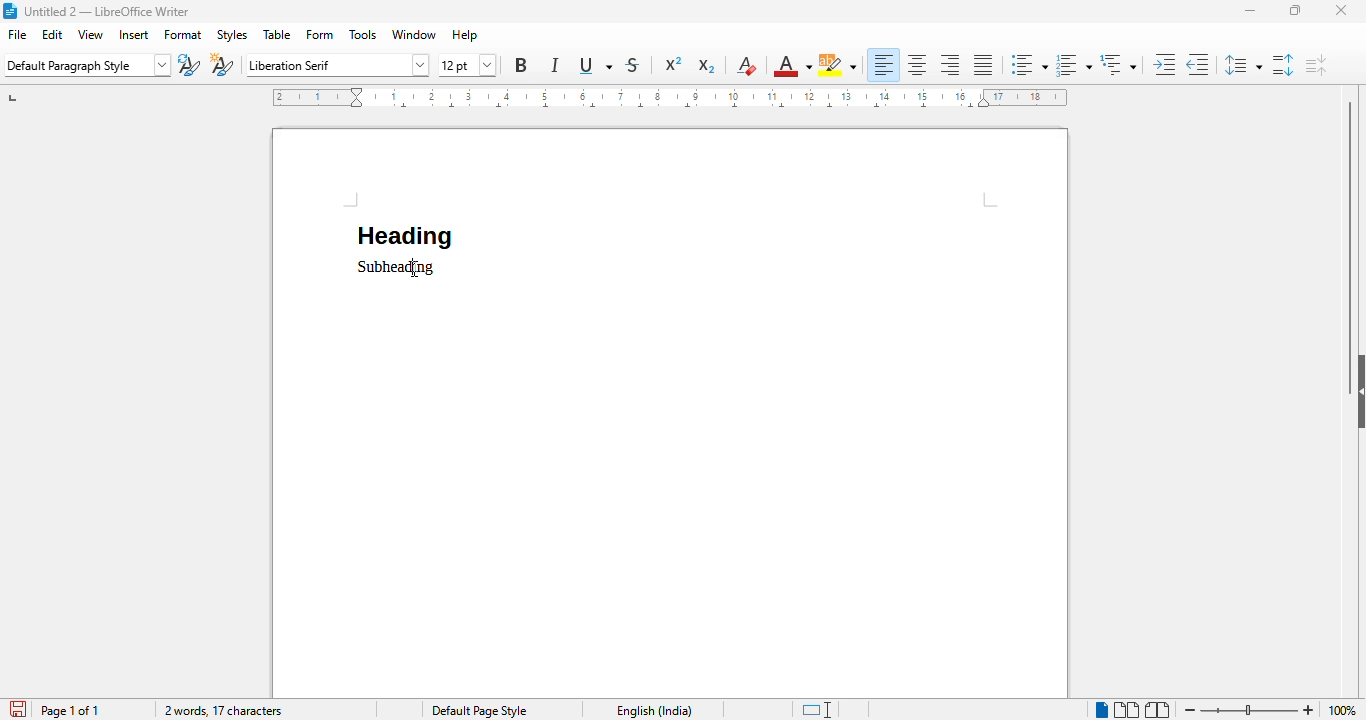 The height and width of the screenshot is (720, 1366). What do you see at coordinates (134, 35) in the screenshot?
I see `insert` at bounding box center [134, 35].